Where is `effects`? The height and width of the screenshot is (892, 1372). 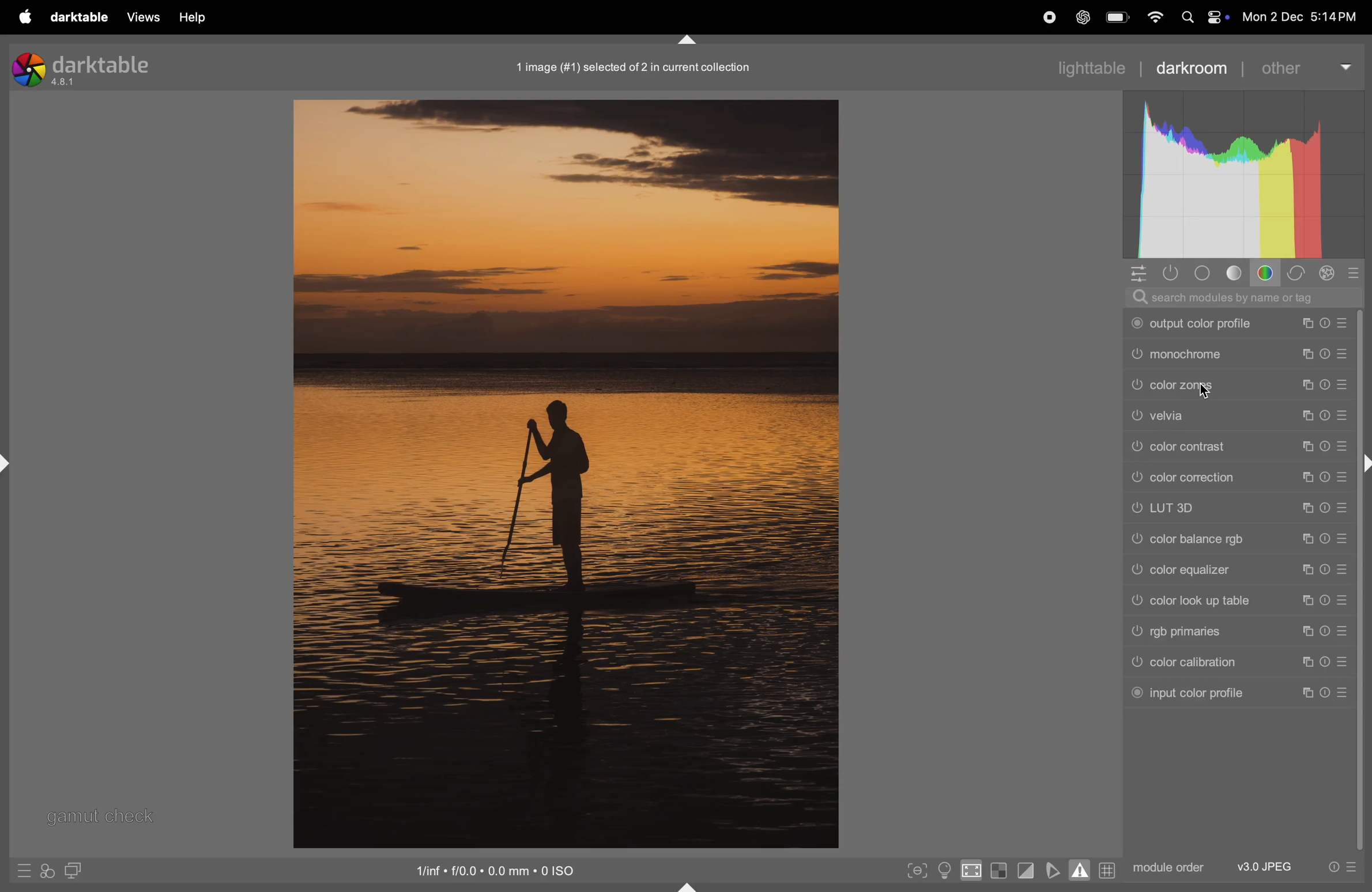
effects is located at coordinates (1330, 273).